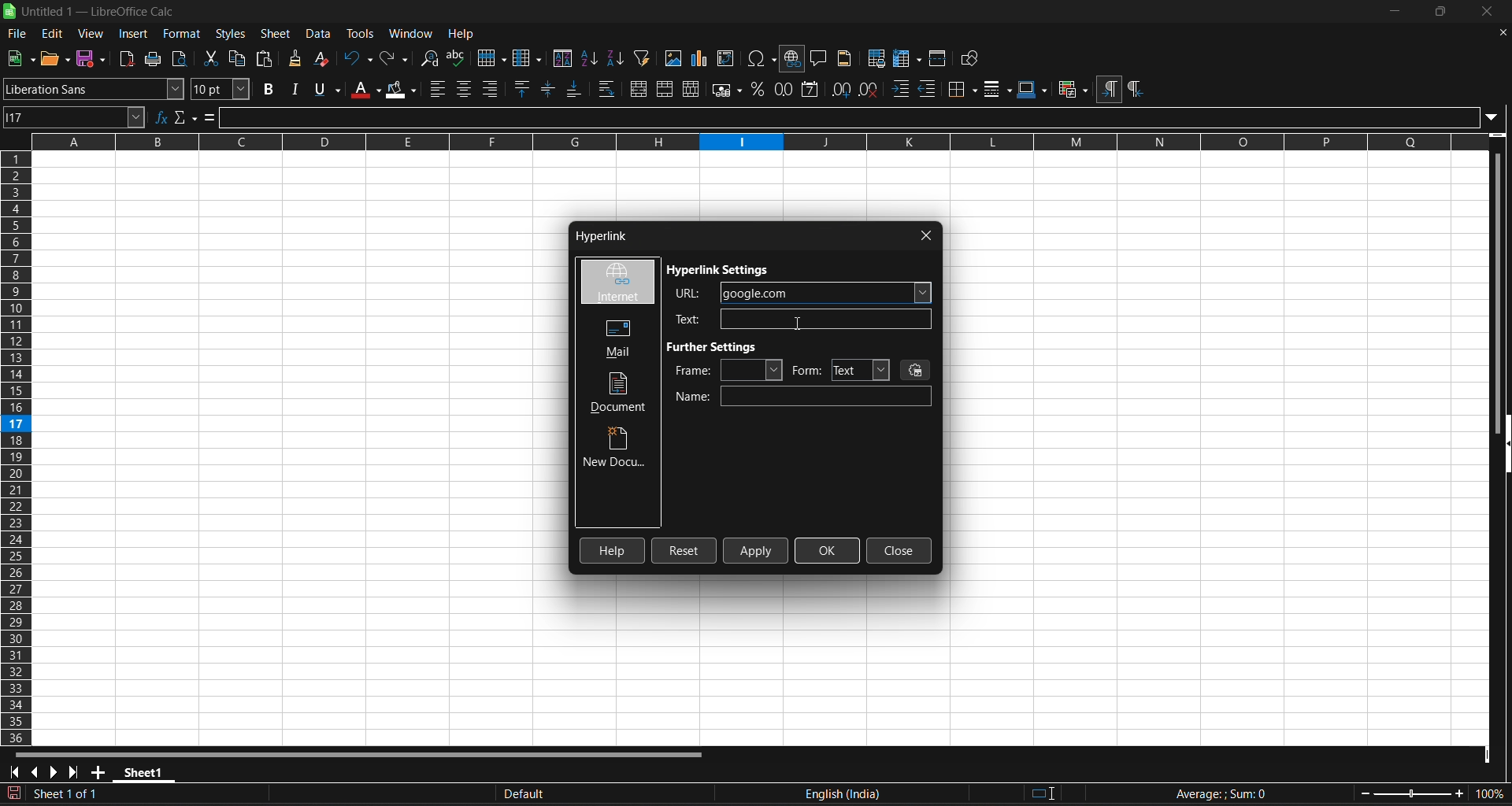 This screenshot has height=806, width=1512. I want to click on paste, so click(265, 57).